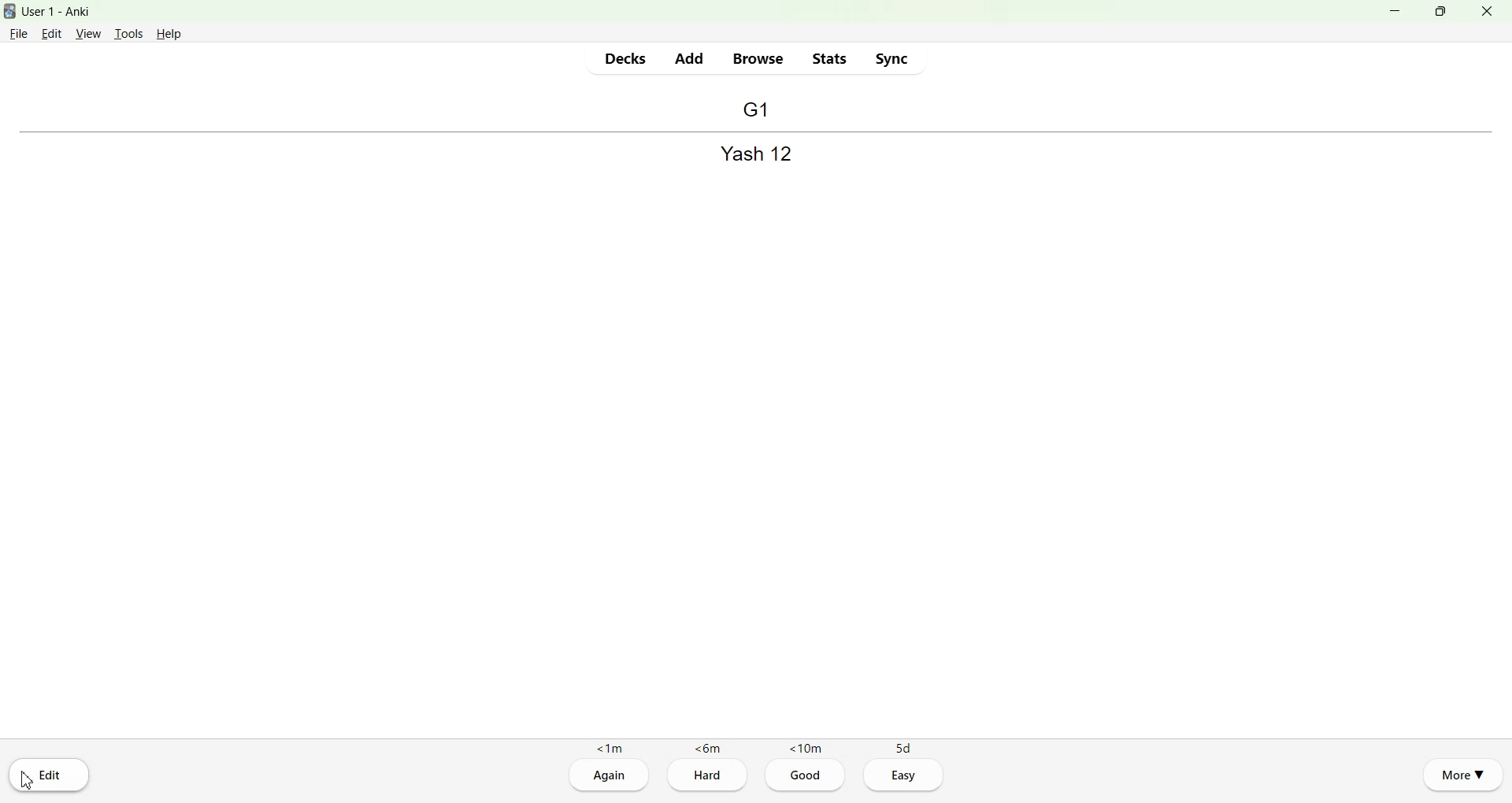  What do you see at coordinates (755, 747) in the screenshot?
I see `<1m <6m <10m 5d` at bounding box center [755, 747].